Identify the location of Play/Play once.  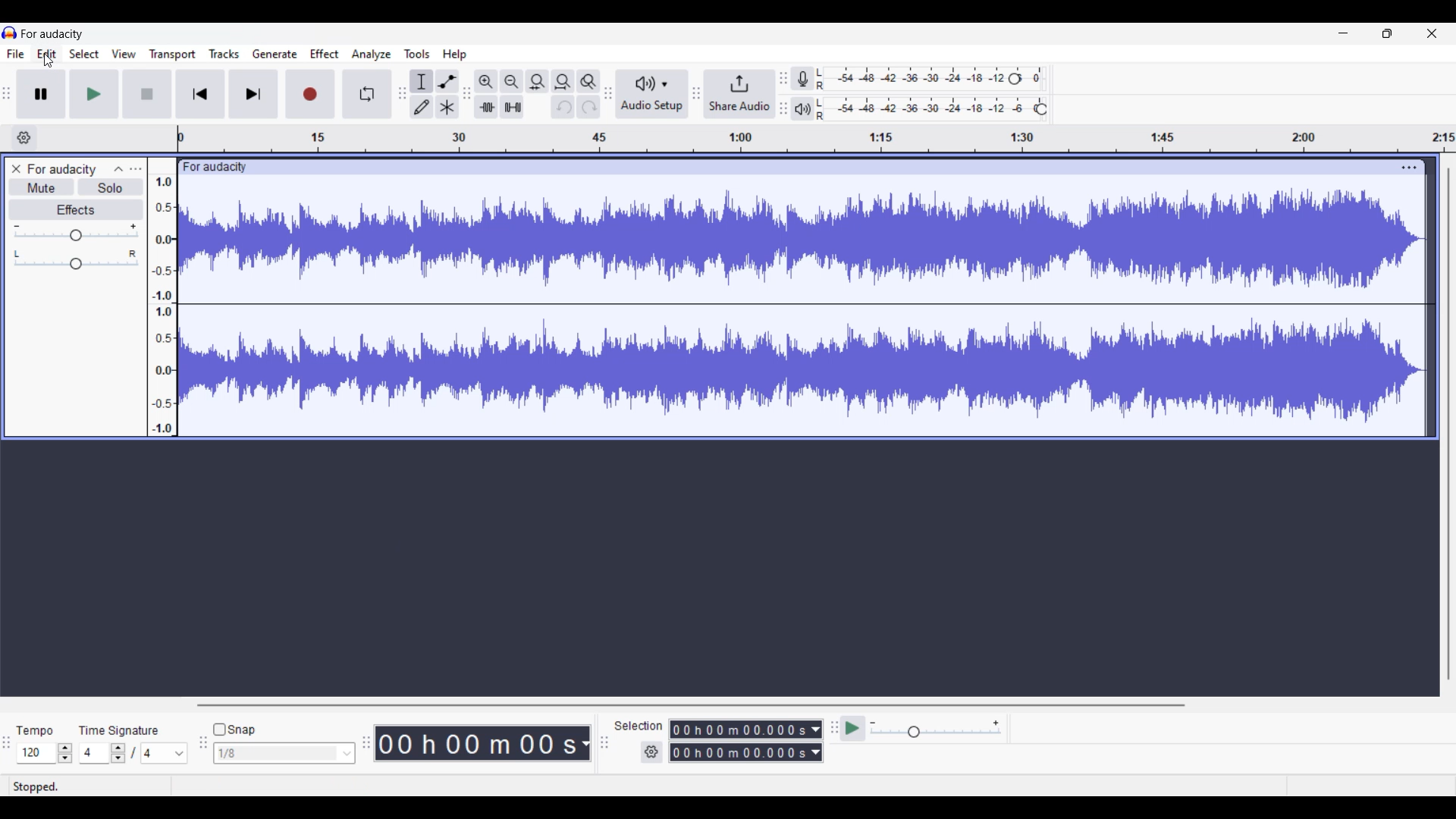
(94, 93).